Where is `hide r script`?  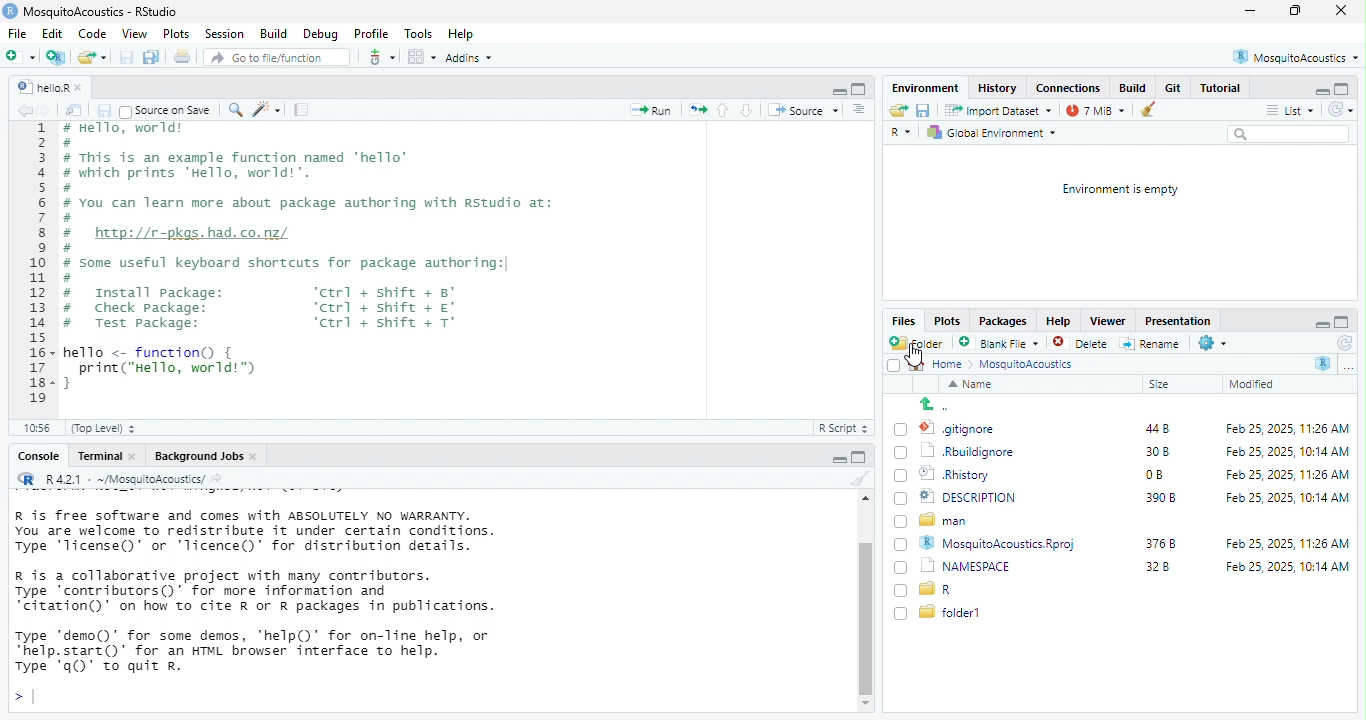
hide r script is located at coordinates (835, 88).